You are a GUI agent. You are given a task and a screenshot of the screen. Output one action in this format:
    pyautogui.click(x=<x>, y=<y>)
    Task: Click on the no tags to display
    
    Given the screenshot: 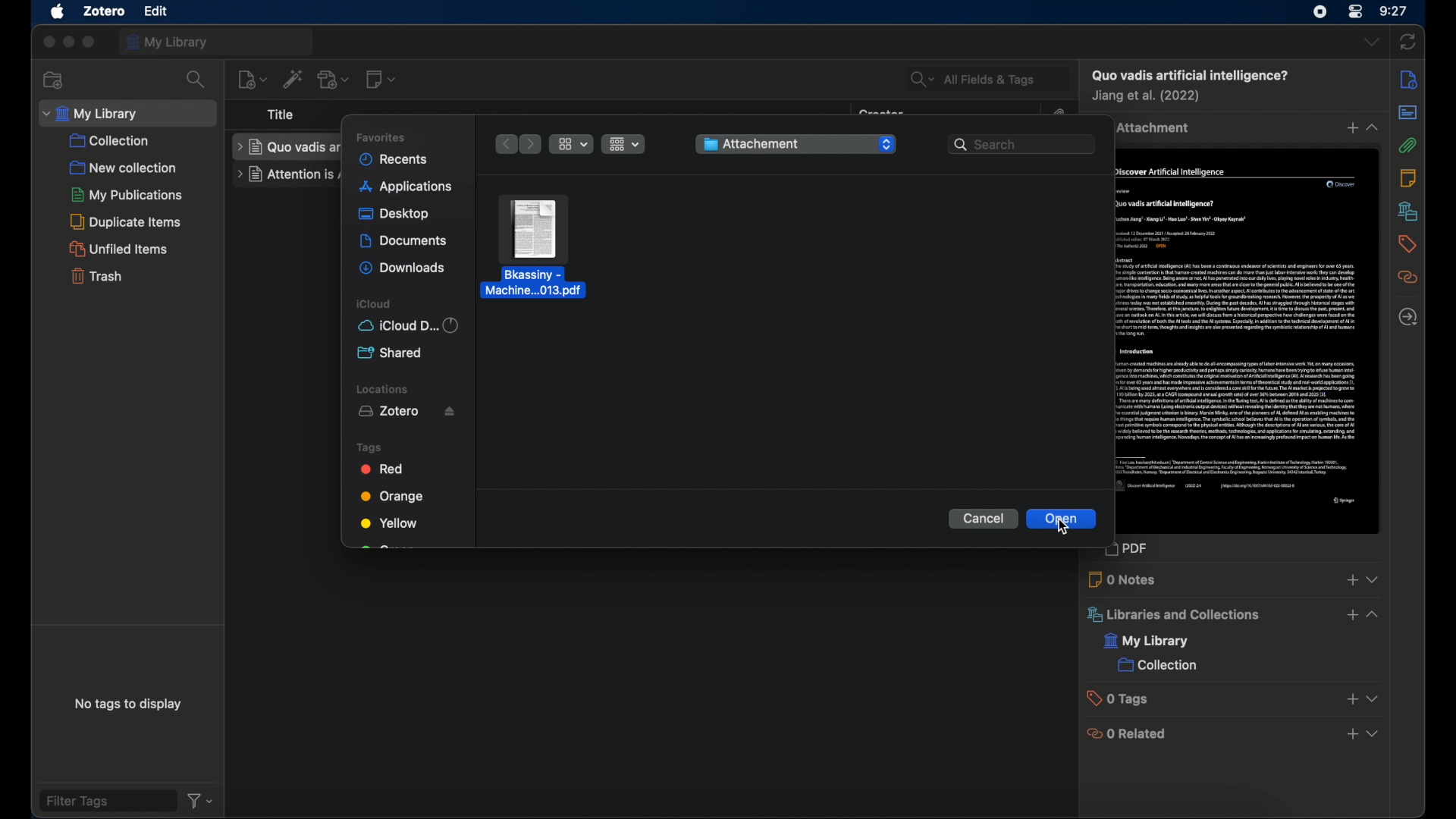 What is the action you would take?
    pyautogui.click(x=130, y=704)
    